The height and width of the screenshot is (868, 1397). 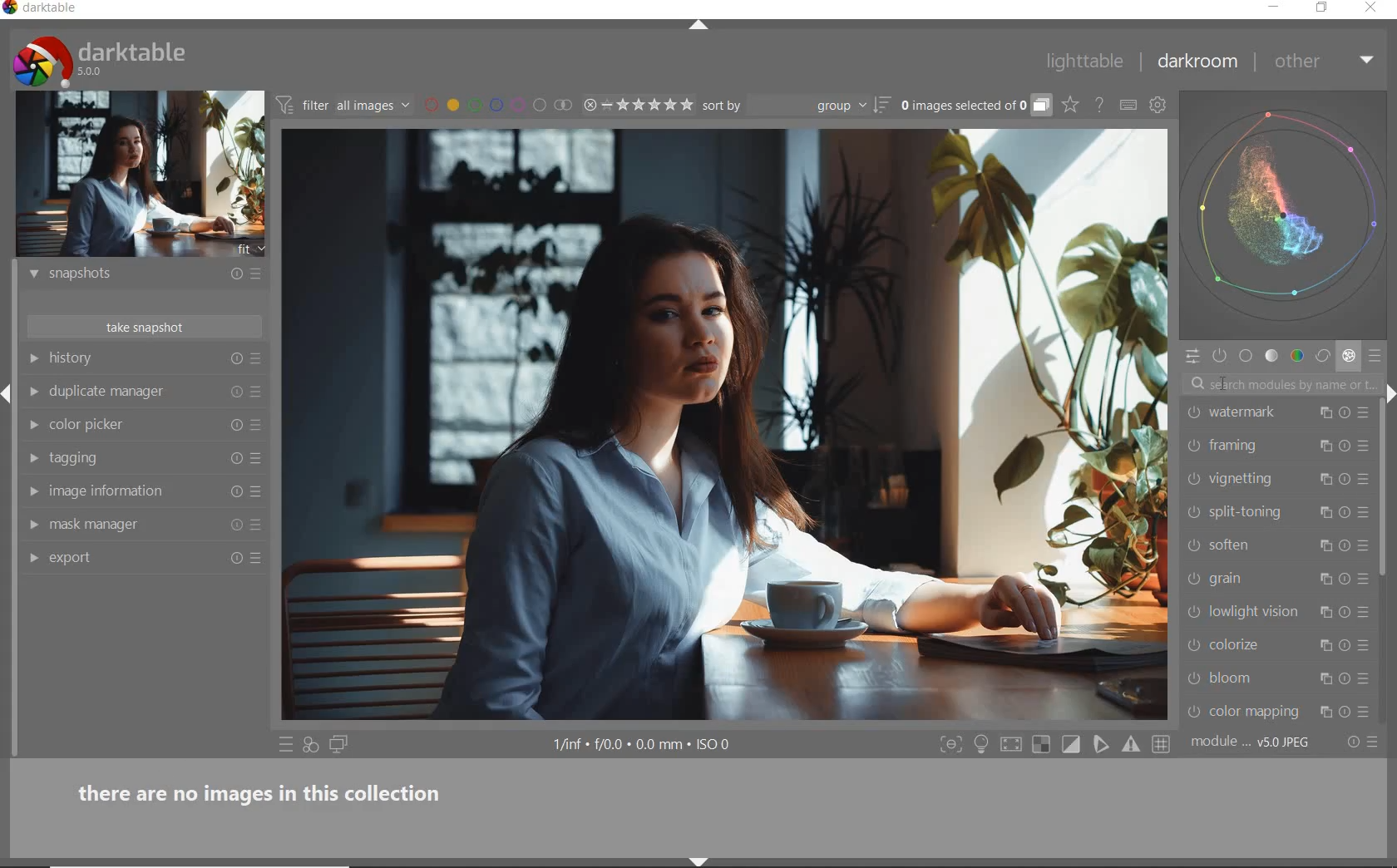 What do you see at coordinates (1071, 106) in the screenshot?
I see `click to change the type of overlay shown on thumbnails` at bounding box center [1071, 106].